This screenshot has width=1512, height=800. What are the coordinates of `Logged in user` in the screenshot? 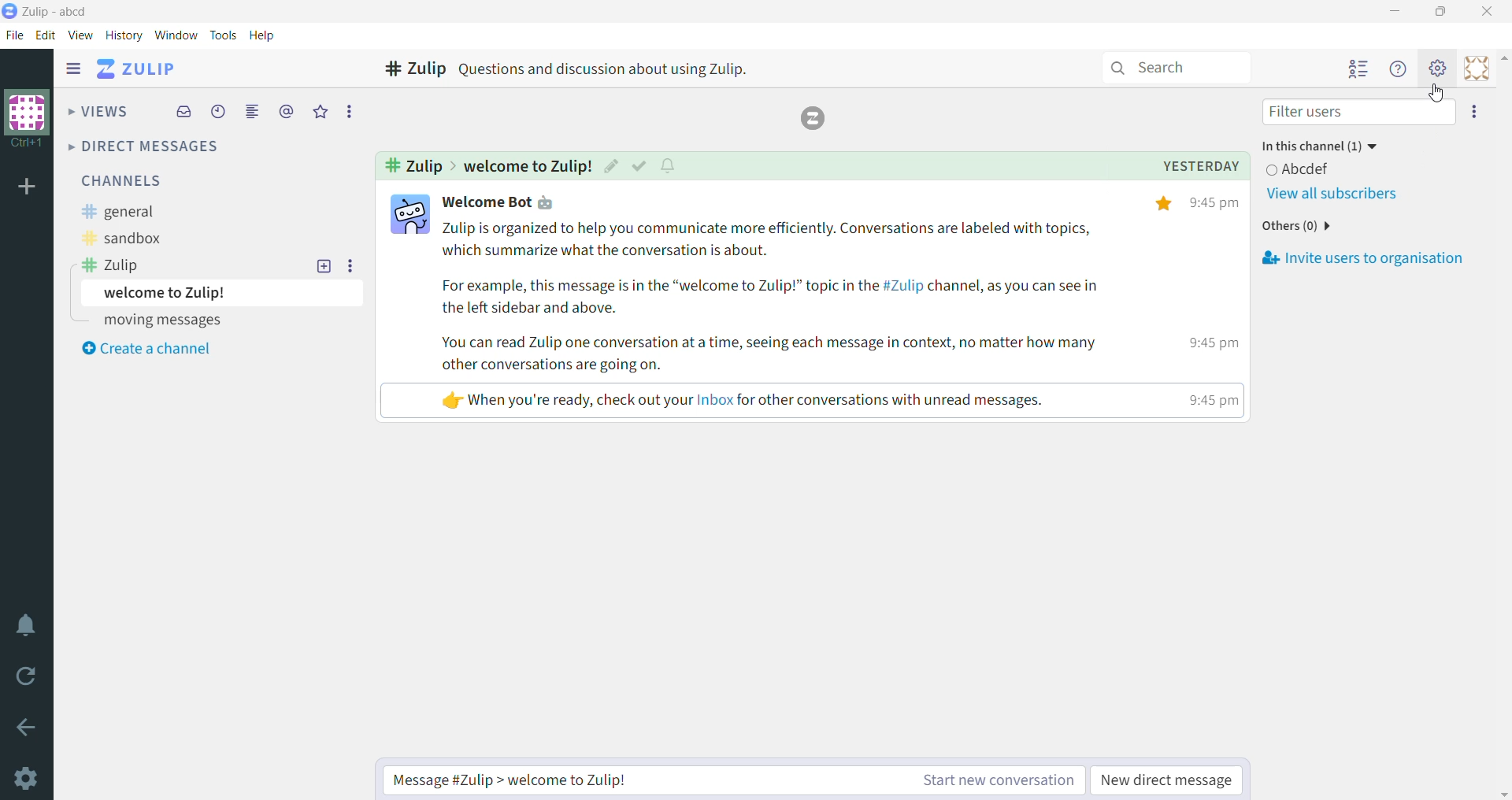 It's located at (1308, 169).